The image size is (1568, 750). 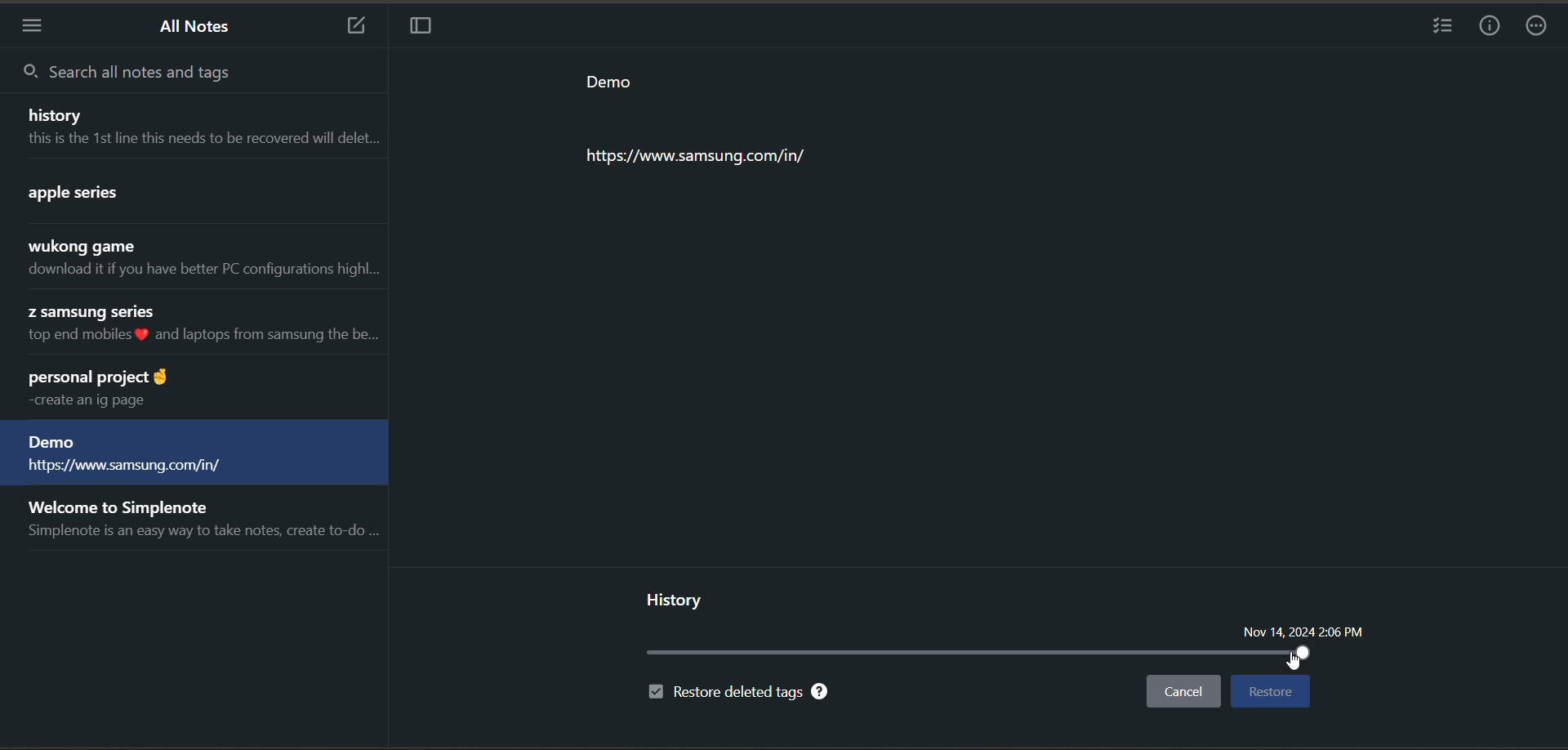 I want to click on menu, so click(x=33, y=28).